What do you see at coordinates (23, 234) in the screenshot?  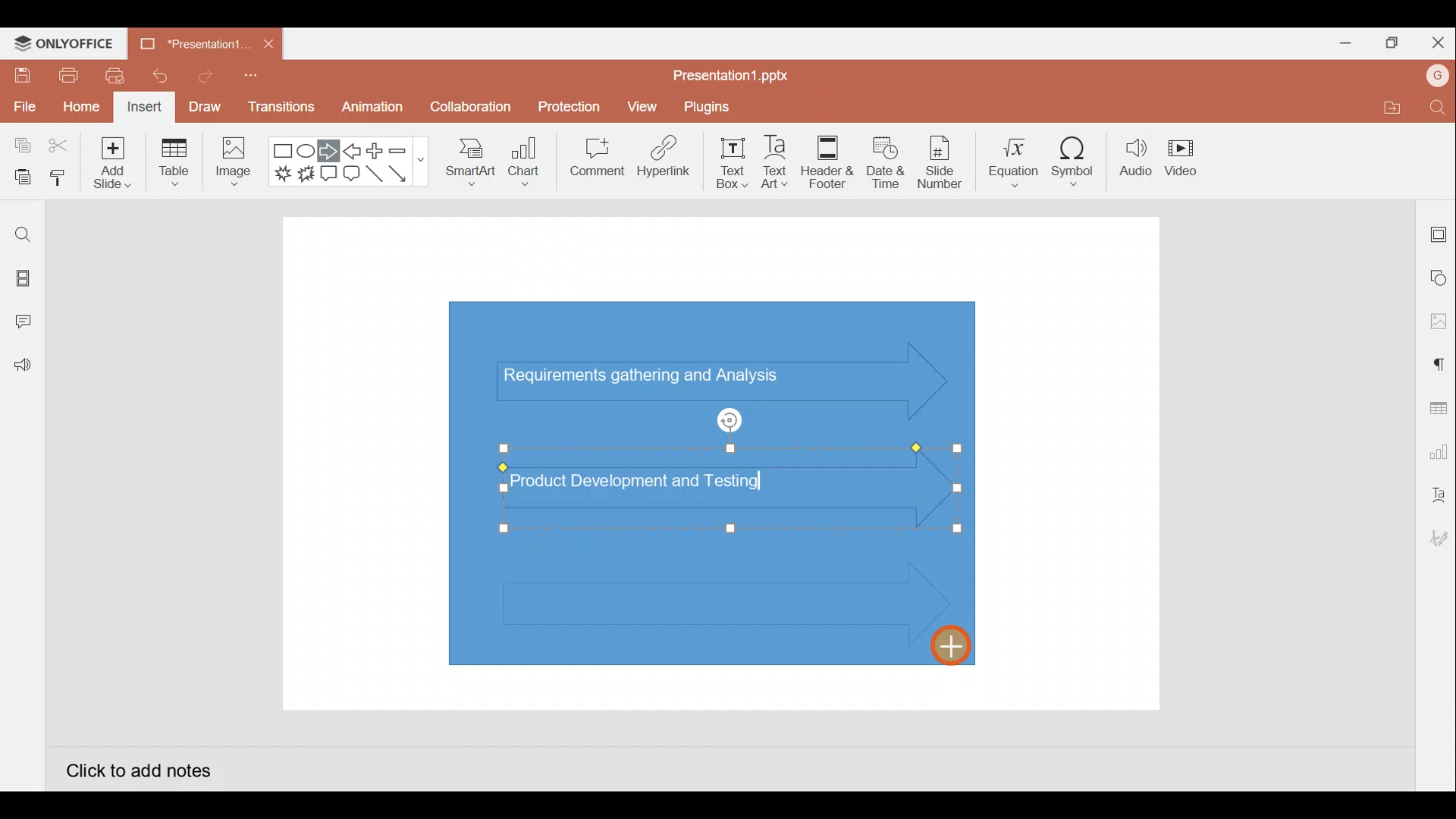 I see `Find` at bounding box center [23, 234].